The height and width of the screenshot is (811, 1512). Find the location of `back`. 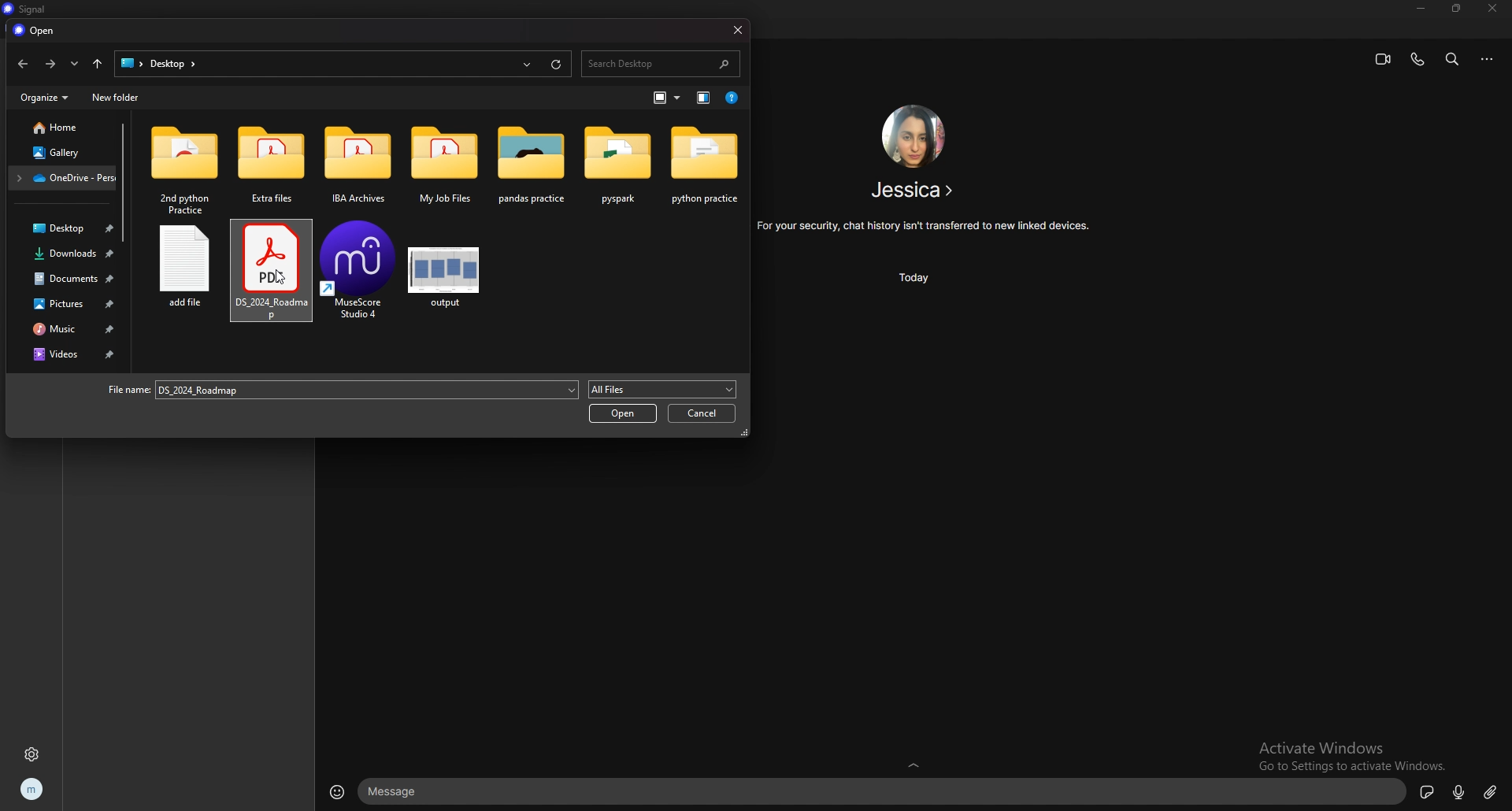

back is located at coordinates (22, 64).